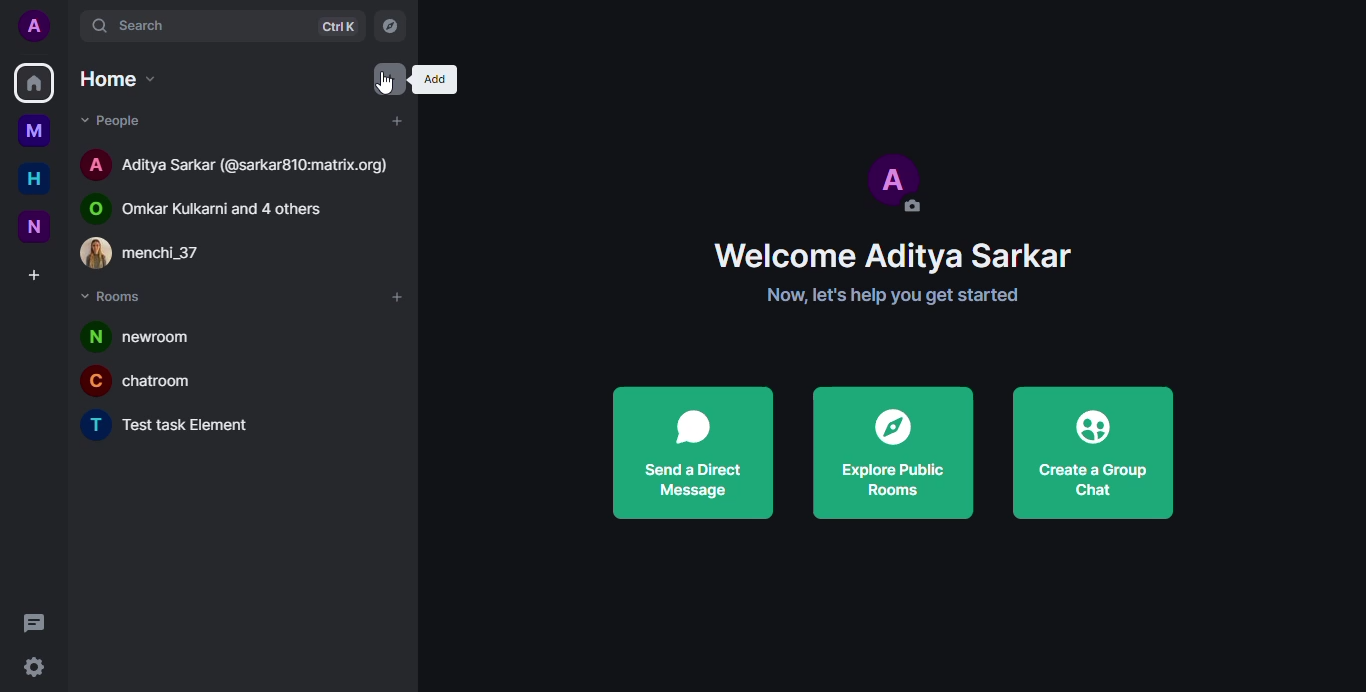  I want to click on newroom, so click(151, 335).